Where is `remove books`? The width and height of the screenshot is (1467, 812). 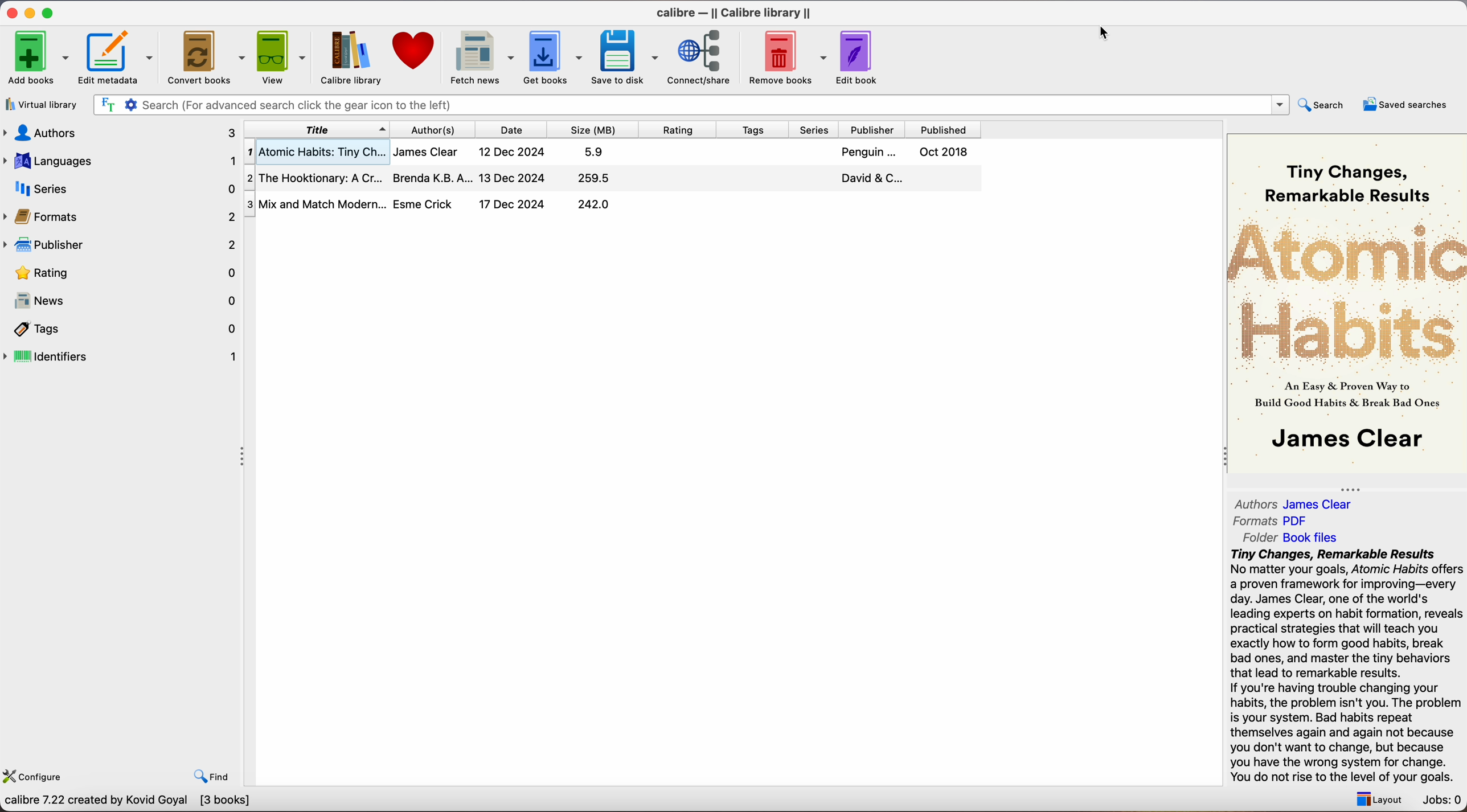 remove books is located at coordinates (788, 59).